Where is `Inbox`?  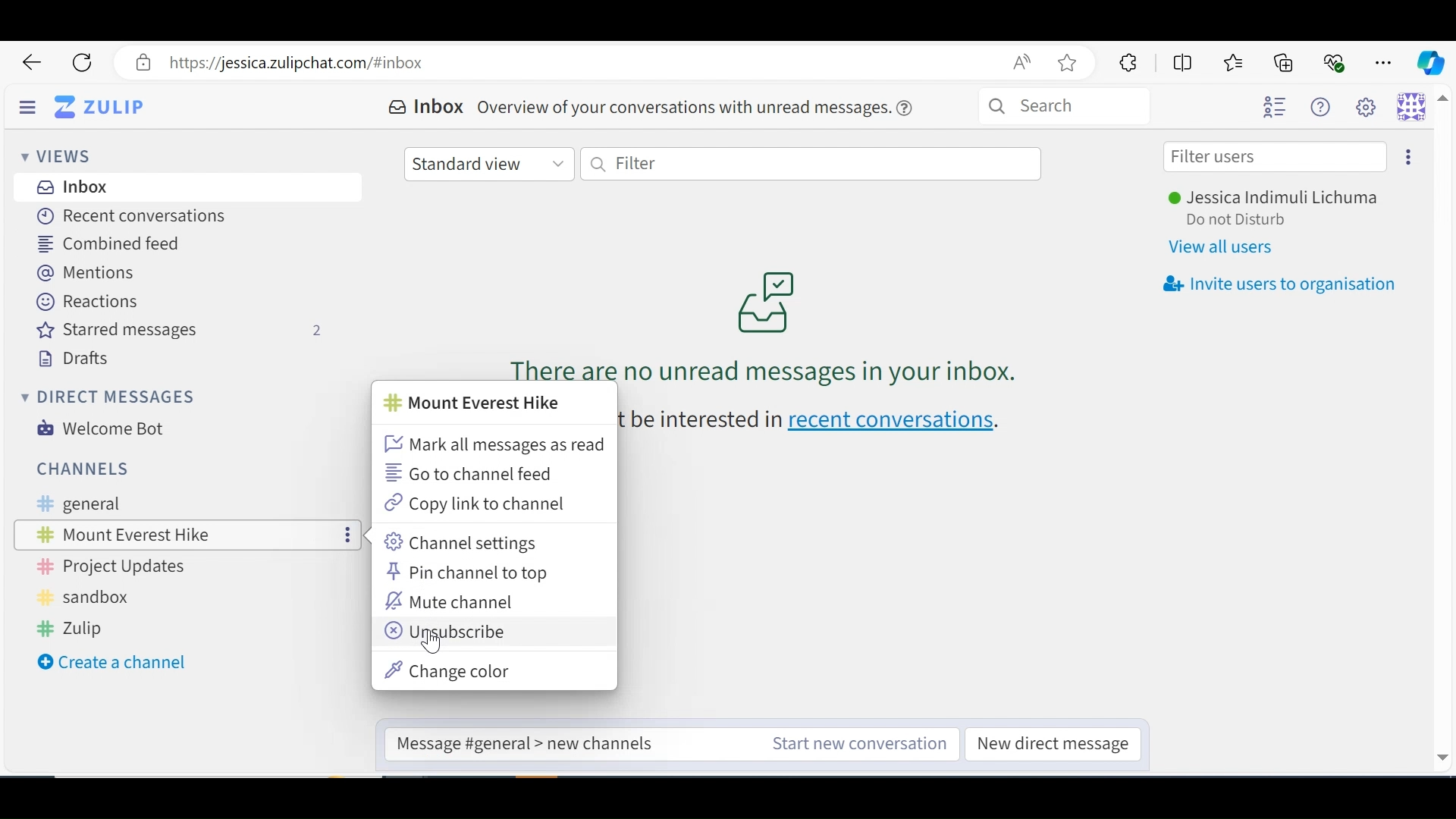
Inbox is located at coordinates (74, 187).